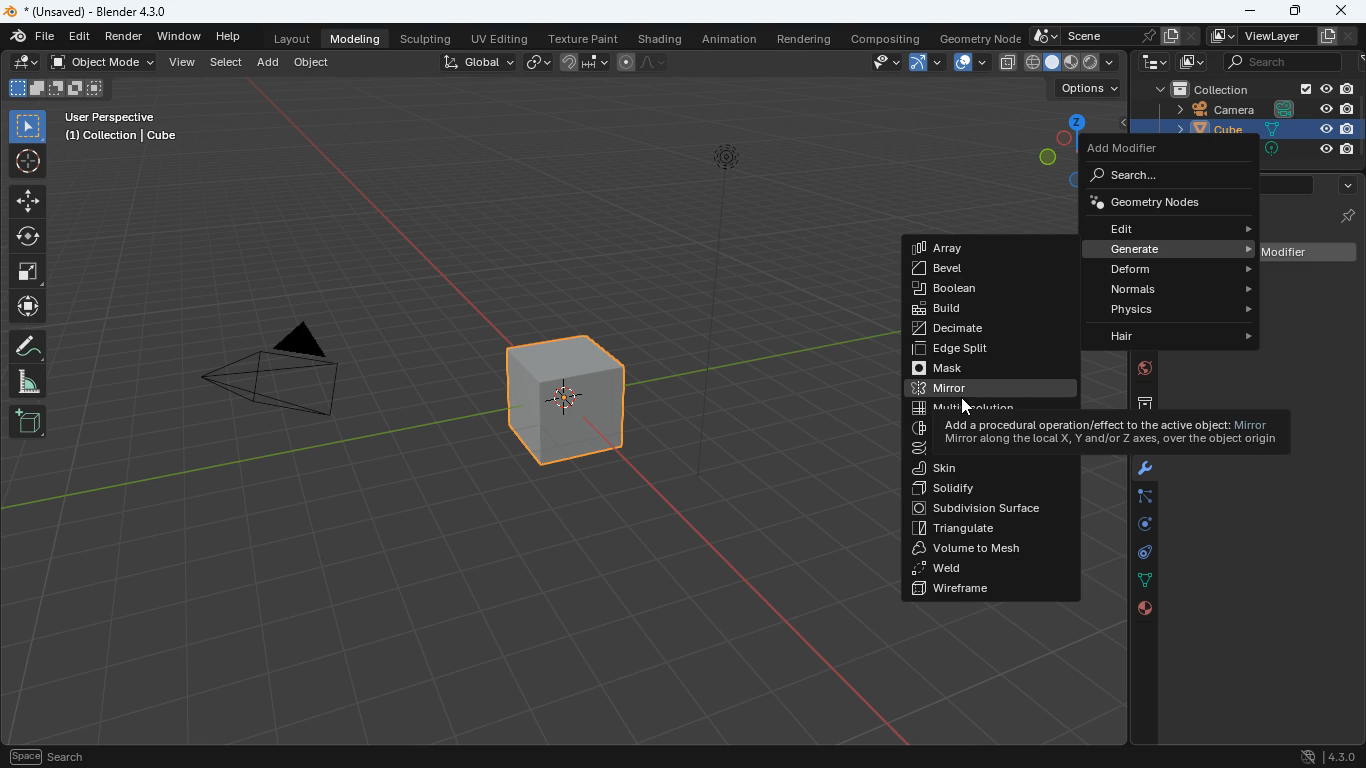 The height and width of the screenshot is (768, 1366). Describe the element at coordinates (101, 11) in the screenshot. I see `` at that location.